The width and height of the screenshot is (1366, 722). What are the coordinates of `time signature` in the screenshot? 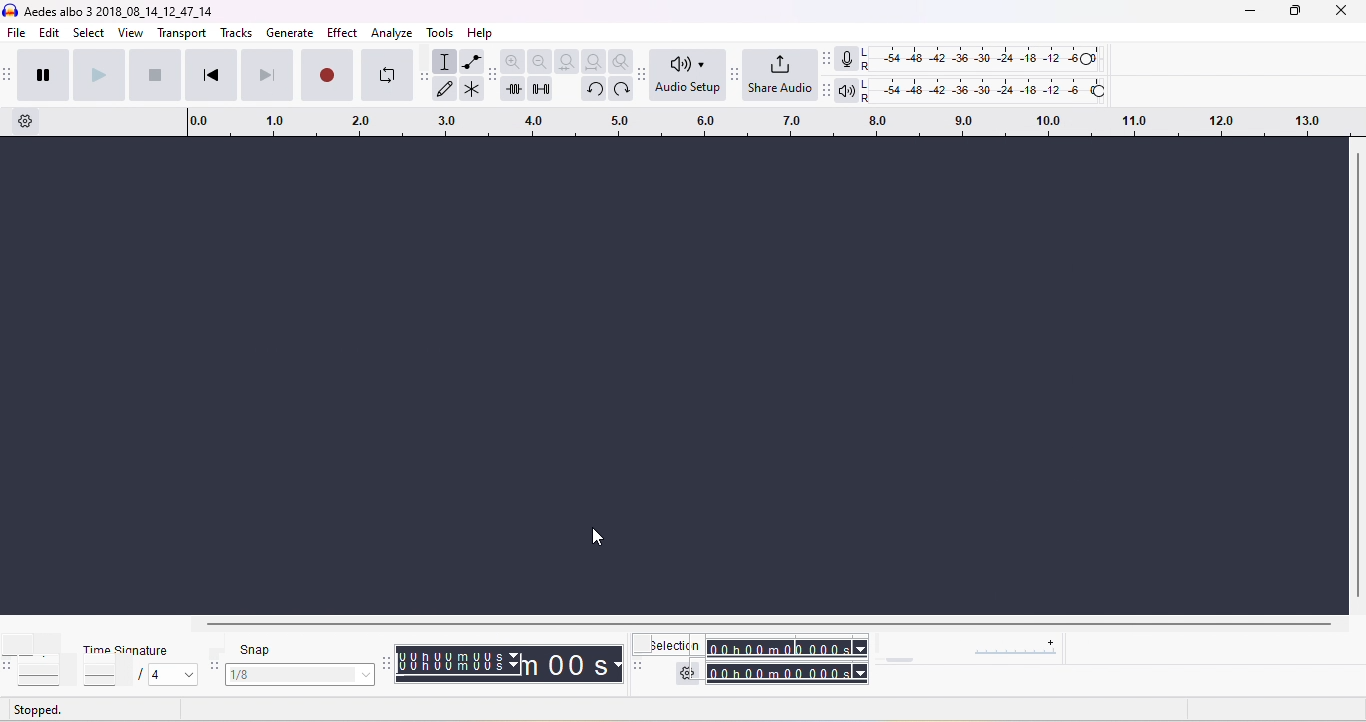 It's located at (127, 650).